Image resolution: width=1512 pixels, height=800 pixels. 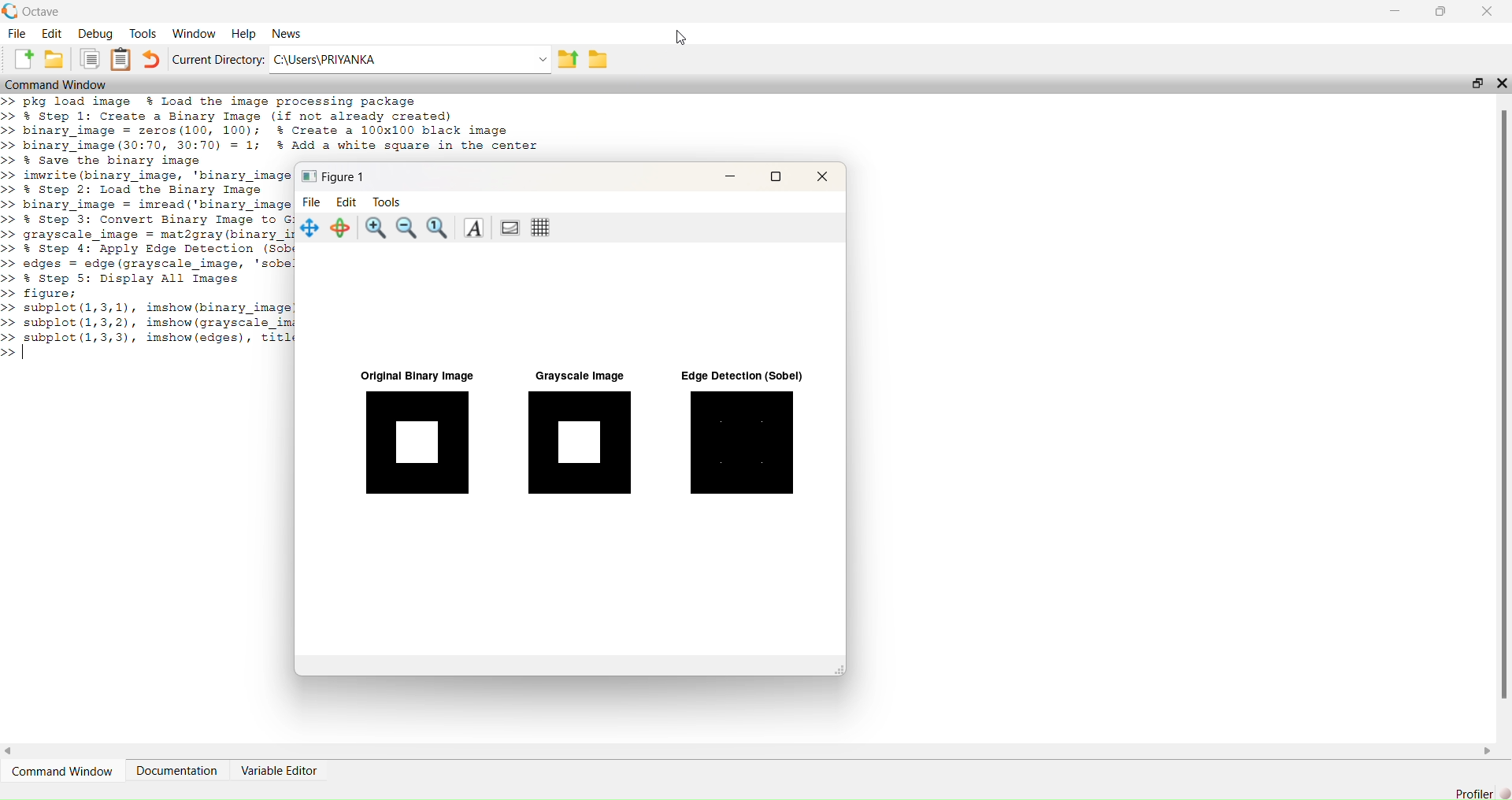 I want to click on Grayscale Image, so click(x=580, y=443).